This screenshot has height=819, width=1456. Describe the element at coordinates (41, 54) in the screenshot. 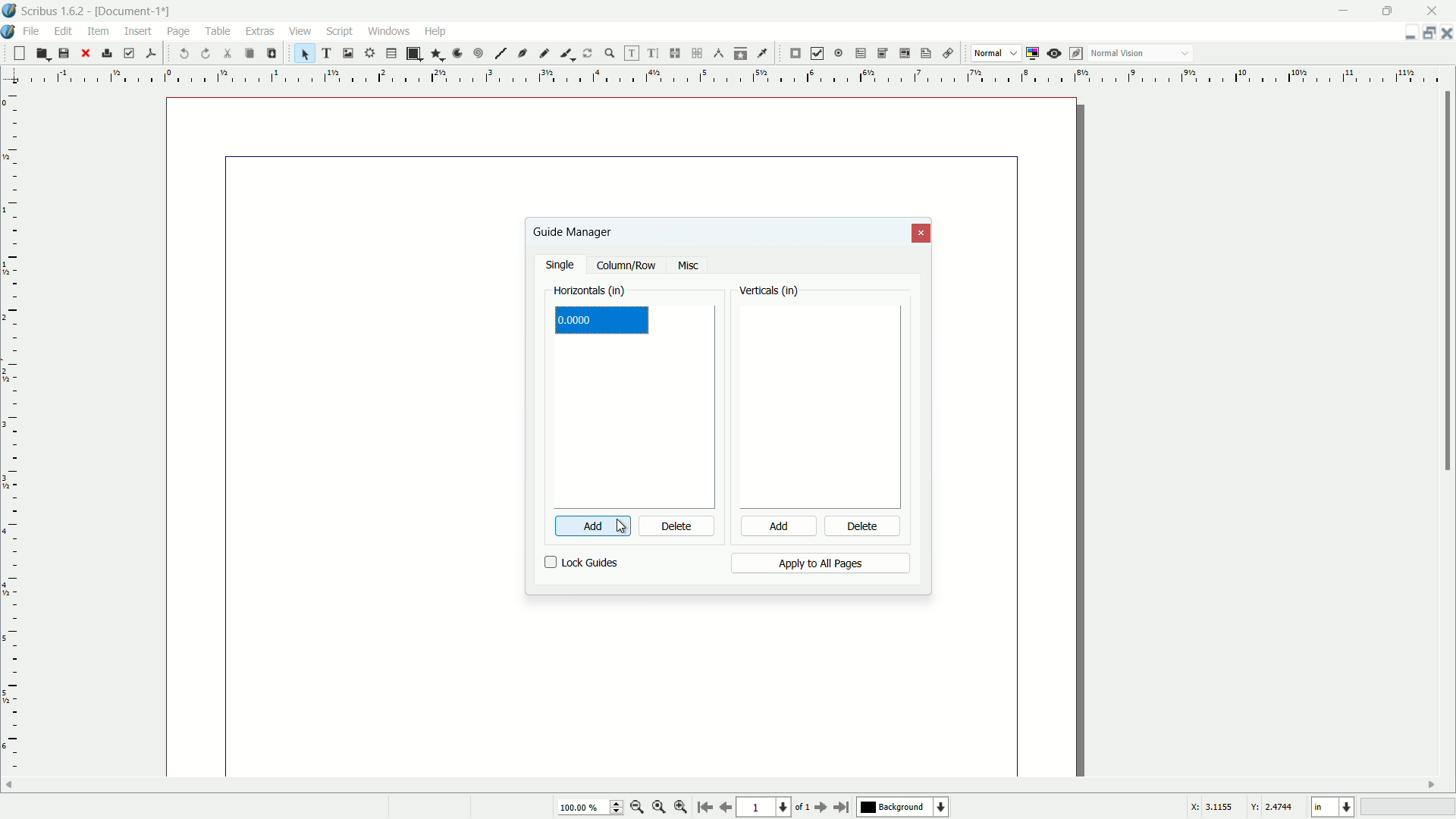

I see `open` at that location.